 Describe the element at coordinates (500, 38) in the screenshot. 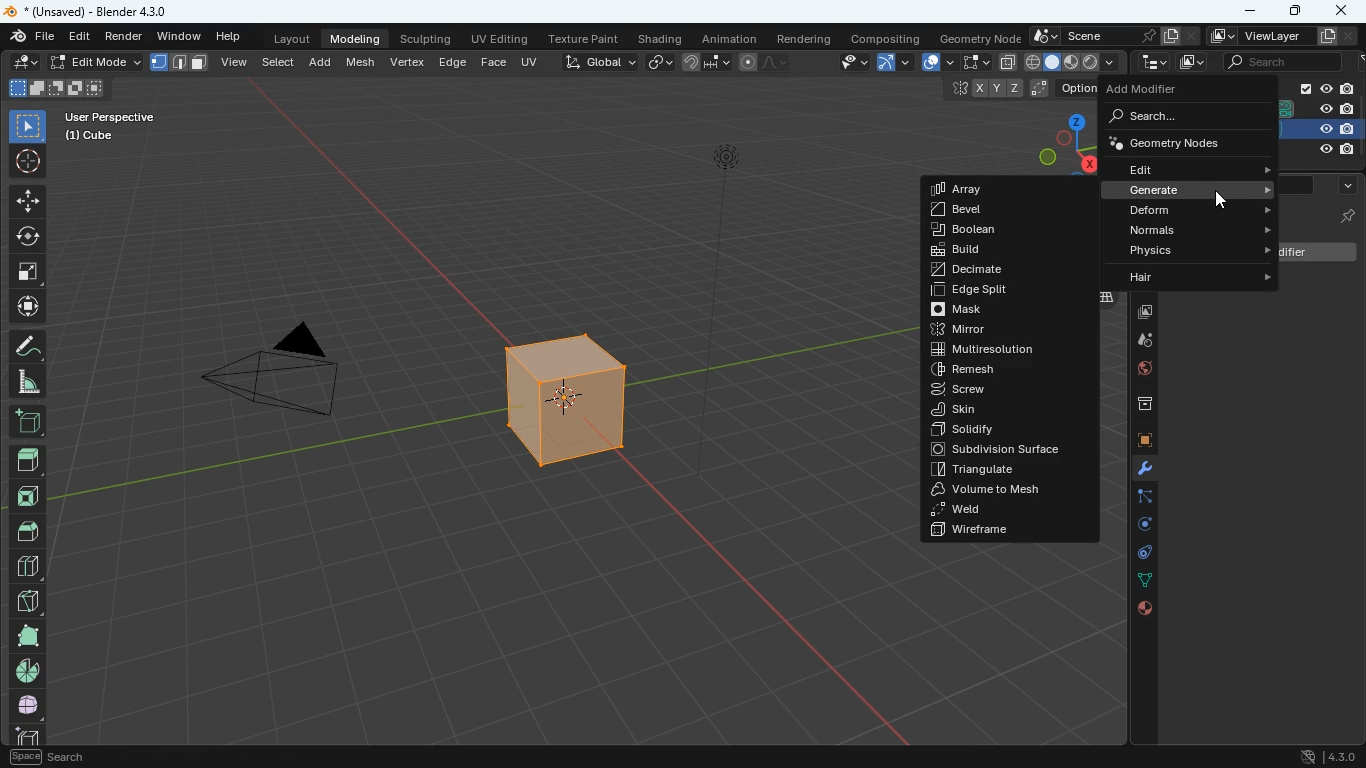

I see `uv editing` at that location.